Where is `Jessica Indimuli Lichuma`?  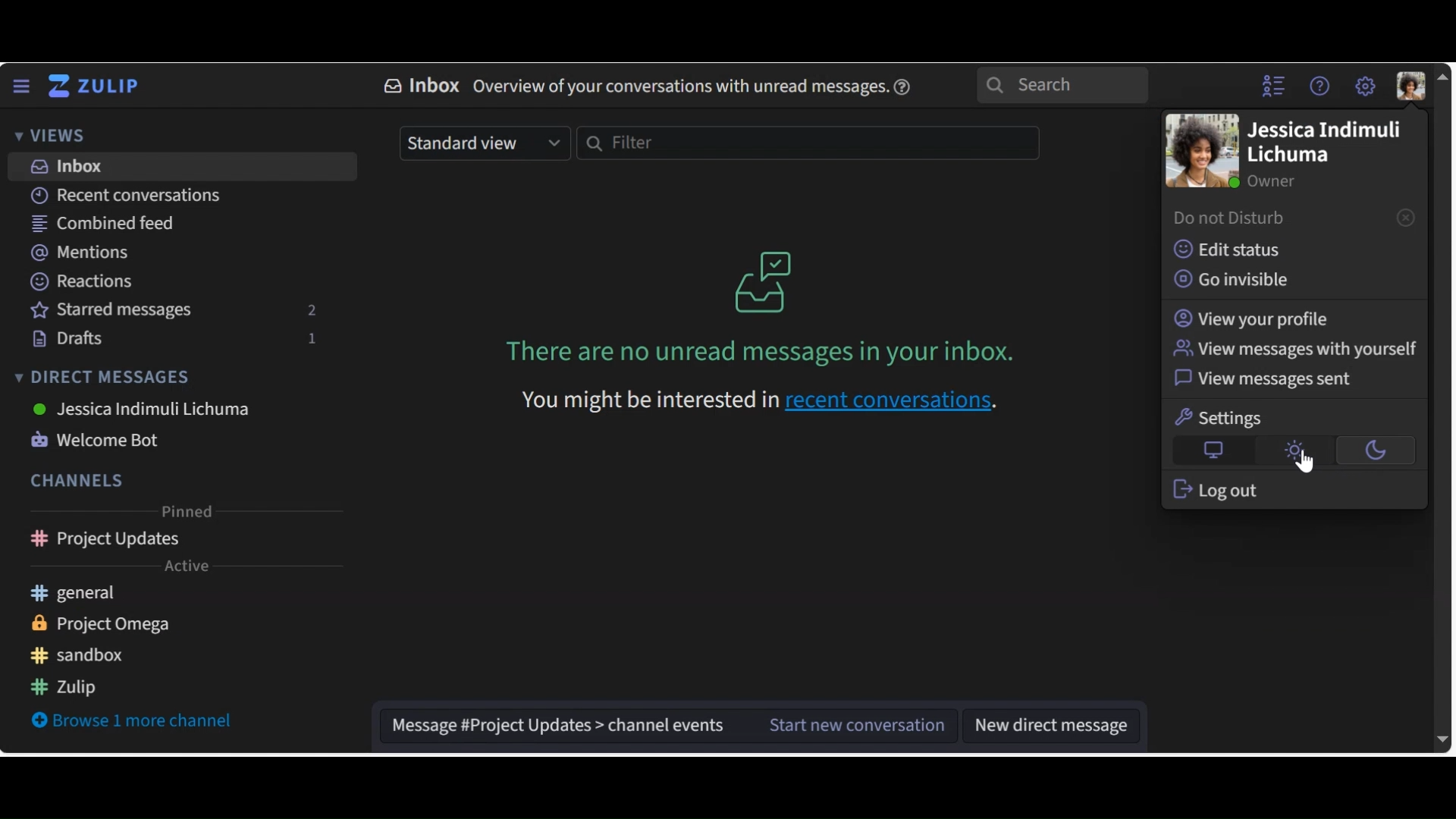 Jessica Indimuli Lichuma is located at coordinates (1323, 144).